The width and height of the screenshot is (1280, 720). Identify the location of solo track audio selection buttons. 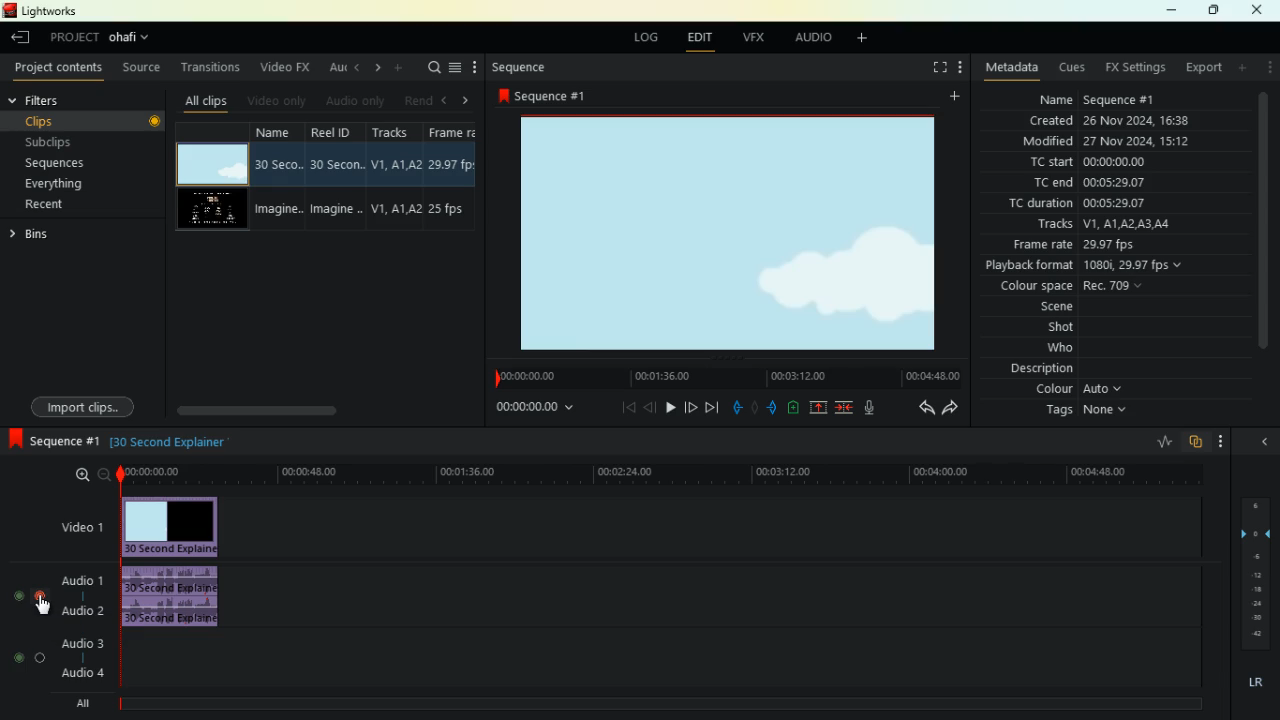
(33, 595).